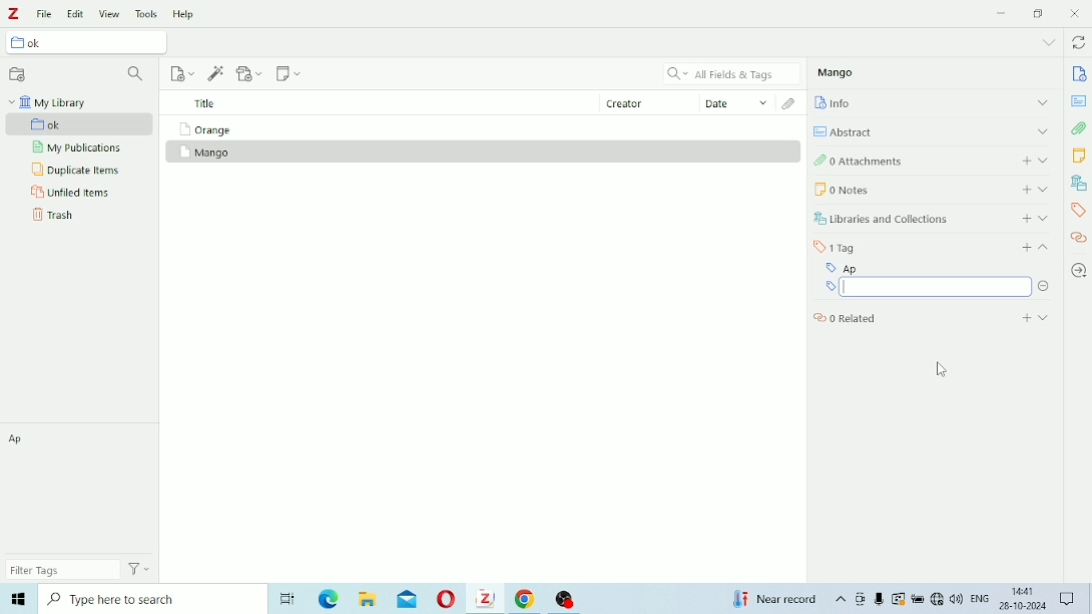 This screenshot has width=1092, height=614. What do you see at coordinates (205, 153) in the screenshot?
I see `Mango` at bounding box center [205, 153].